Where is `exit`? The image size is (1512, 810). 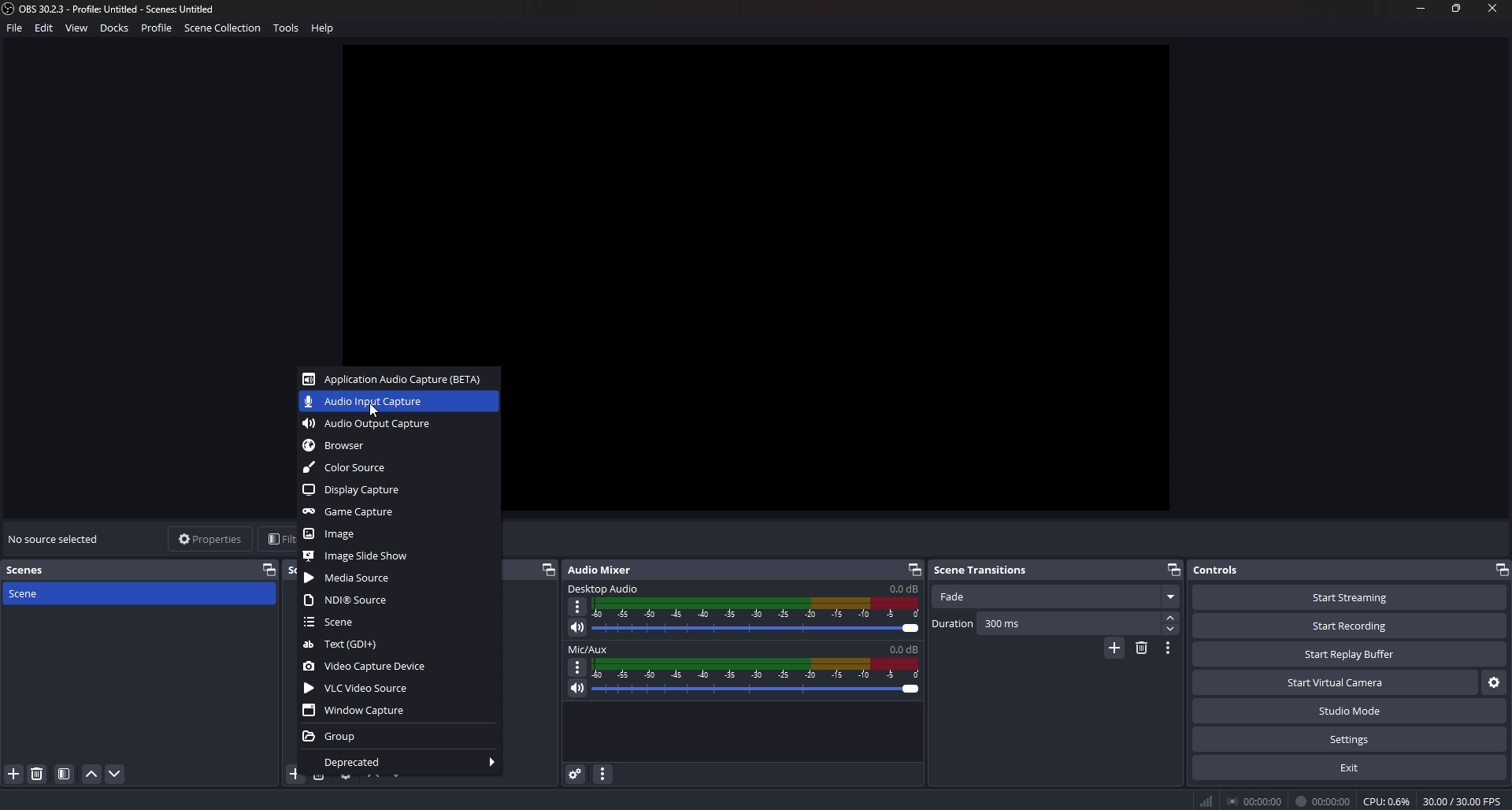 exit is located at coordinates (1349, 767).